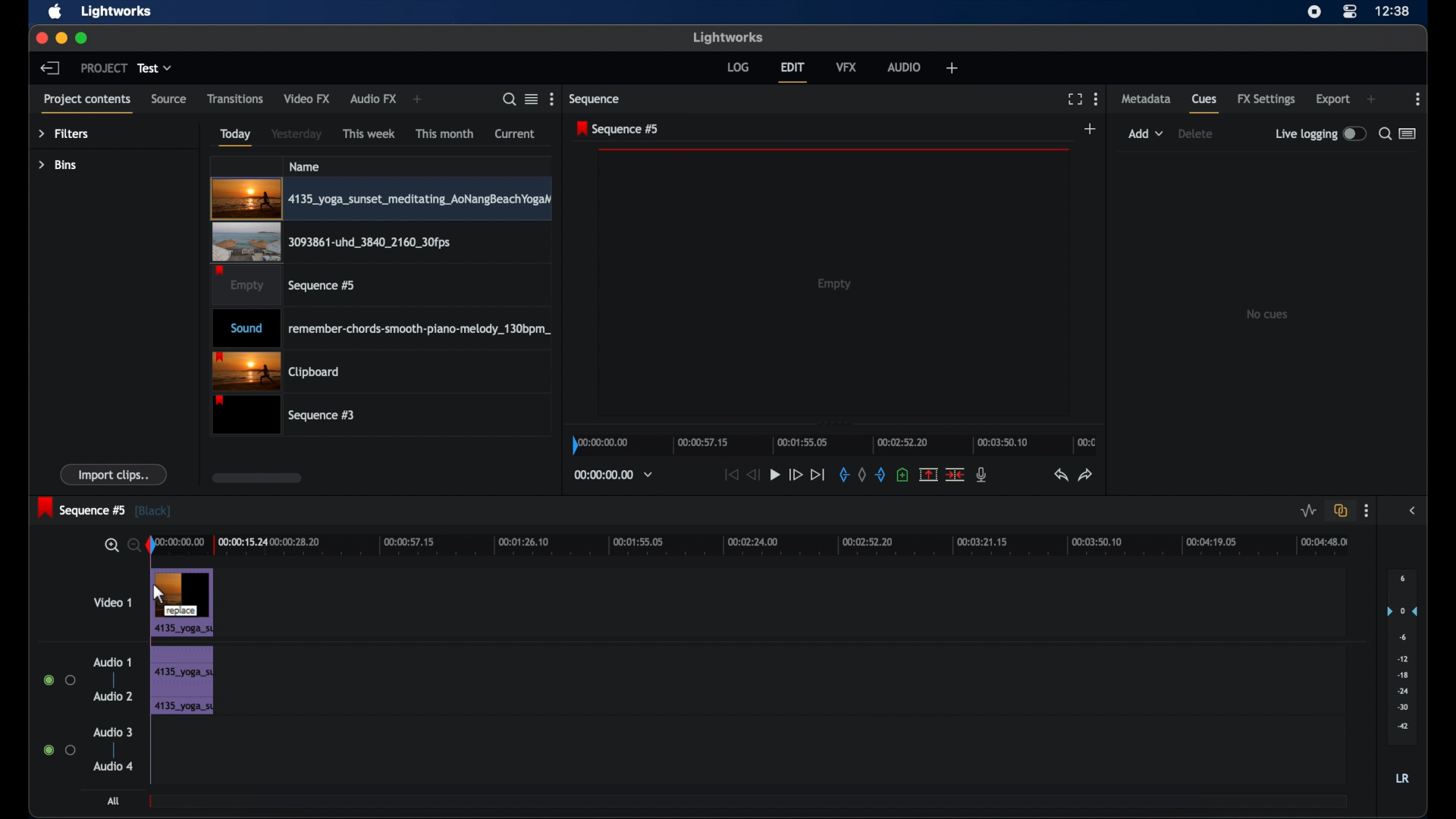 This screenshot has width=1456, height=819. What do you see at coordinates (86, 103) in the screenshot?
I see `project contents` at bounding box center [86, 103].